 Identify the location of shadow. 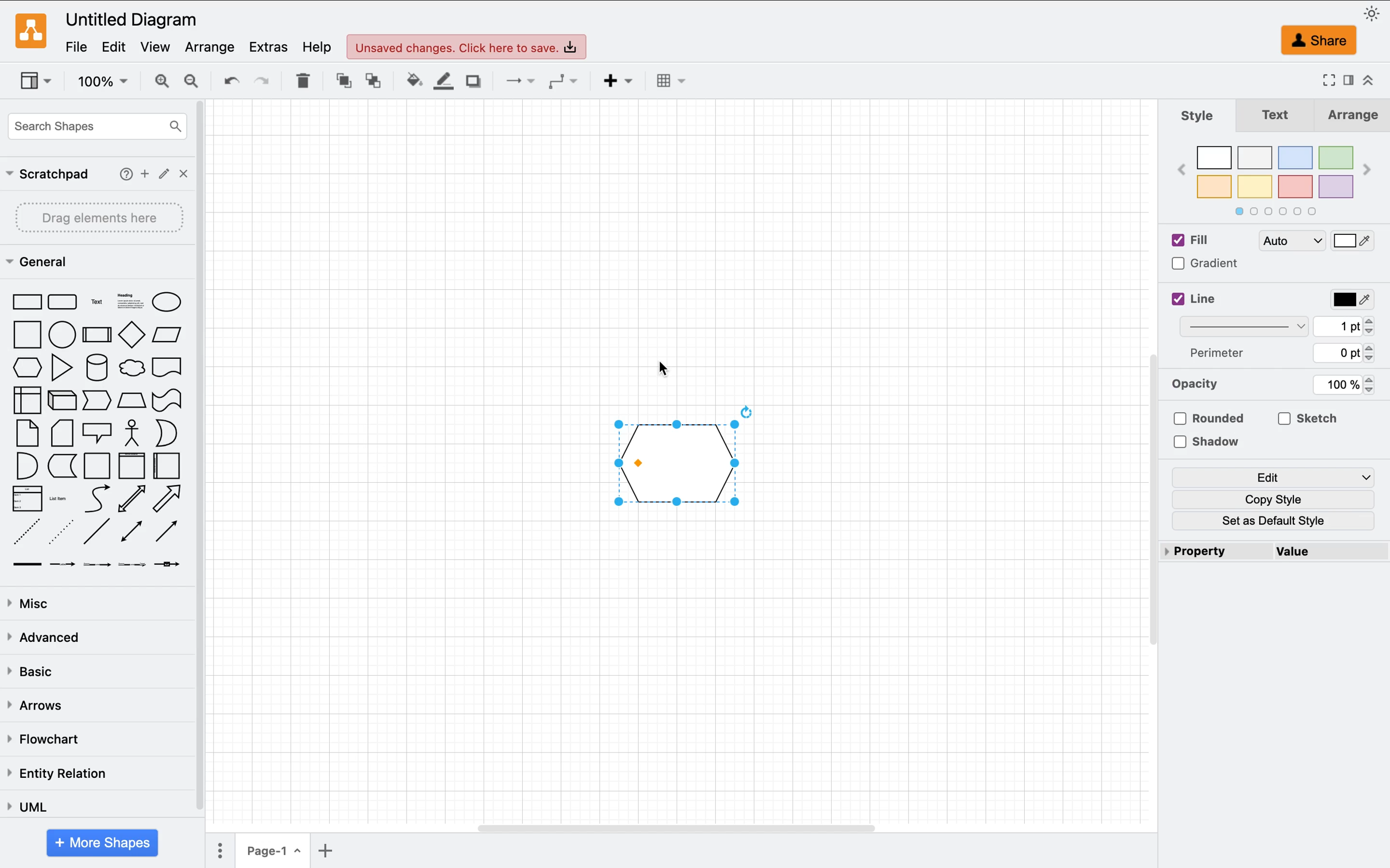
(472, 80).